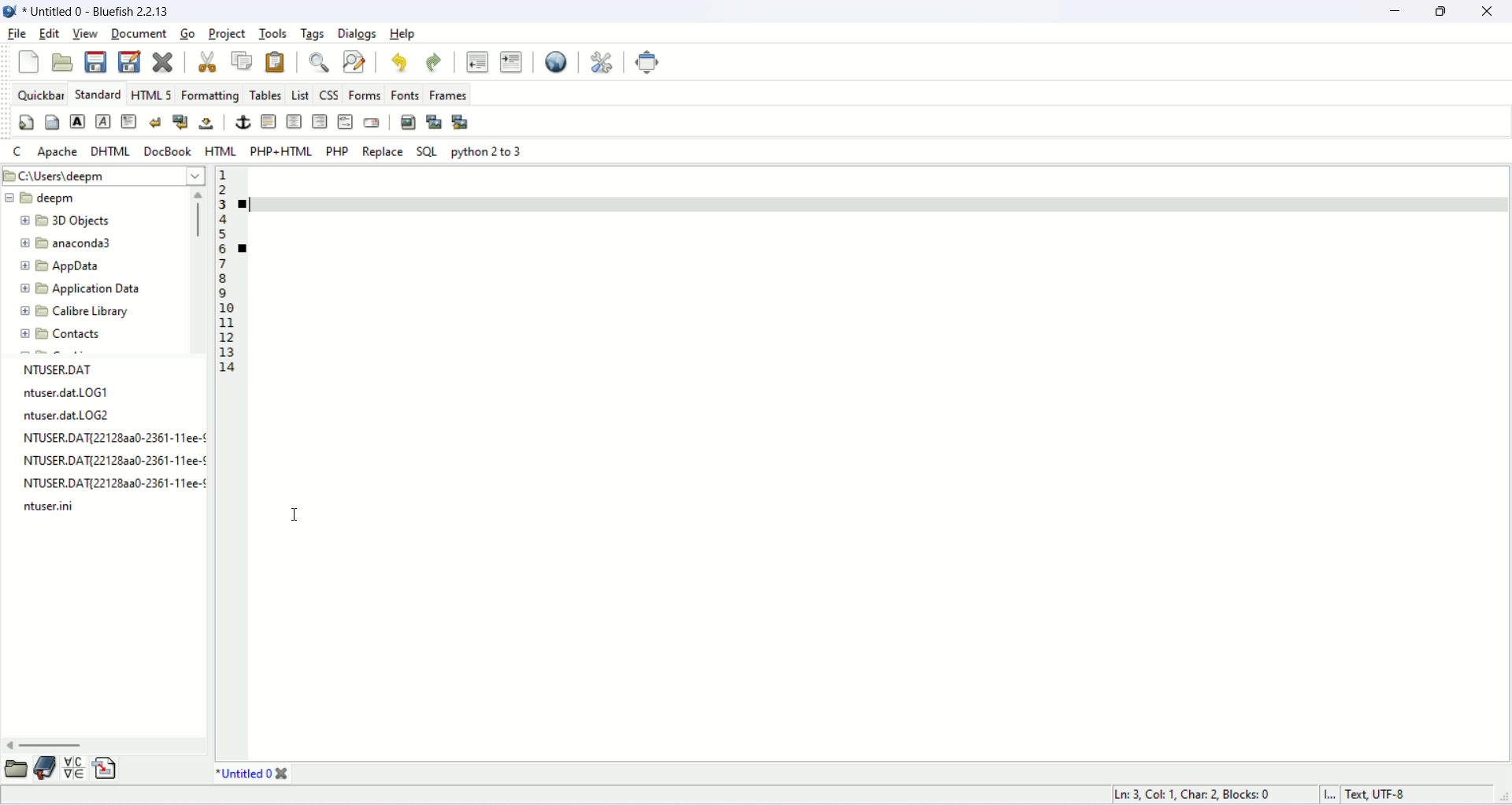  Describe the element at coordinates (1405, 795) in the screenshot. I see `character encoding` at that location.